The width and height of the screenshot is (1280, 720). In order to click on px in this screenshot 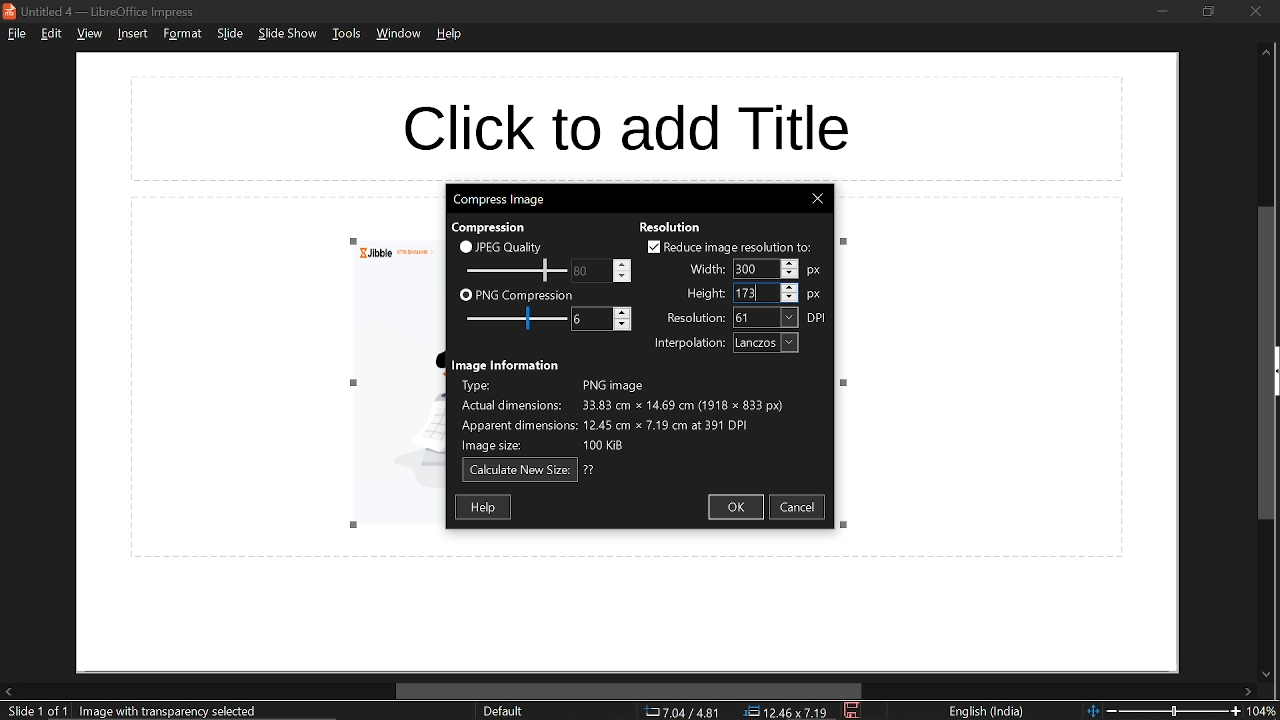, I will do `click(815, 295)`.